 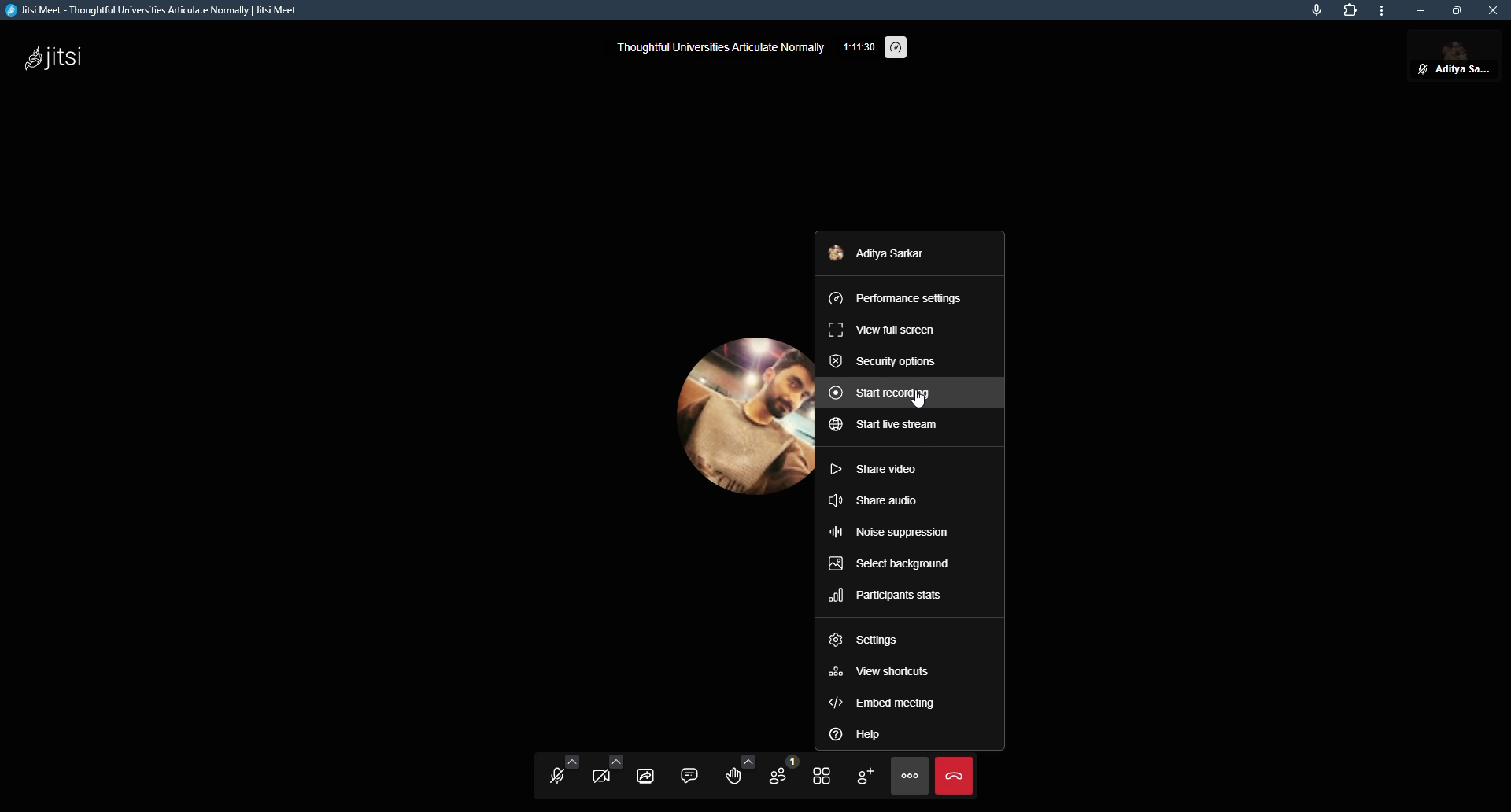 I want to click on close, so click(x=1492, y=10).